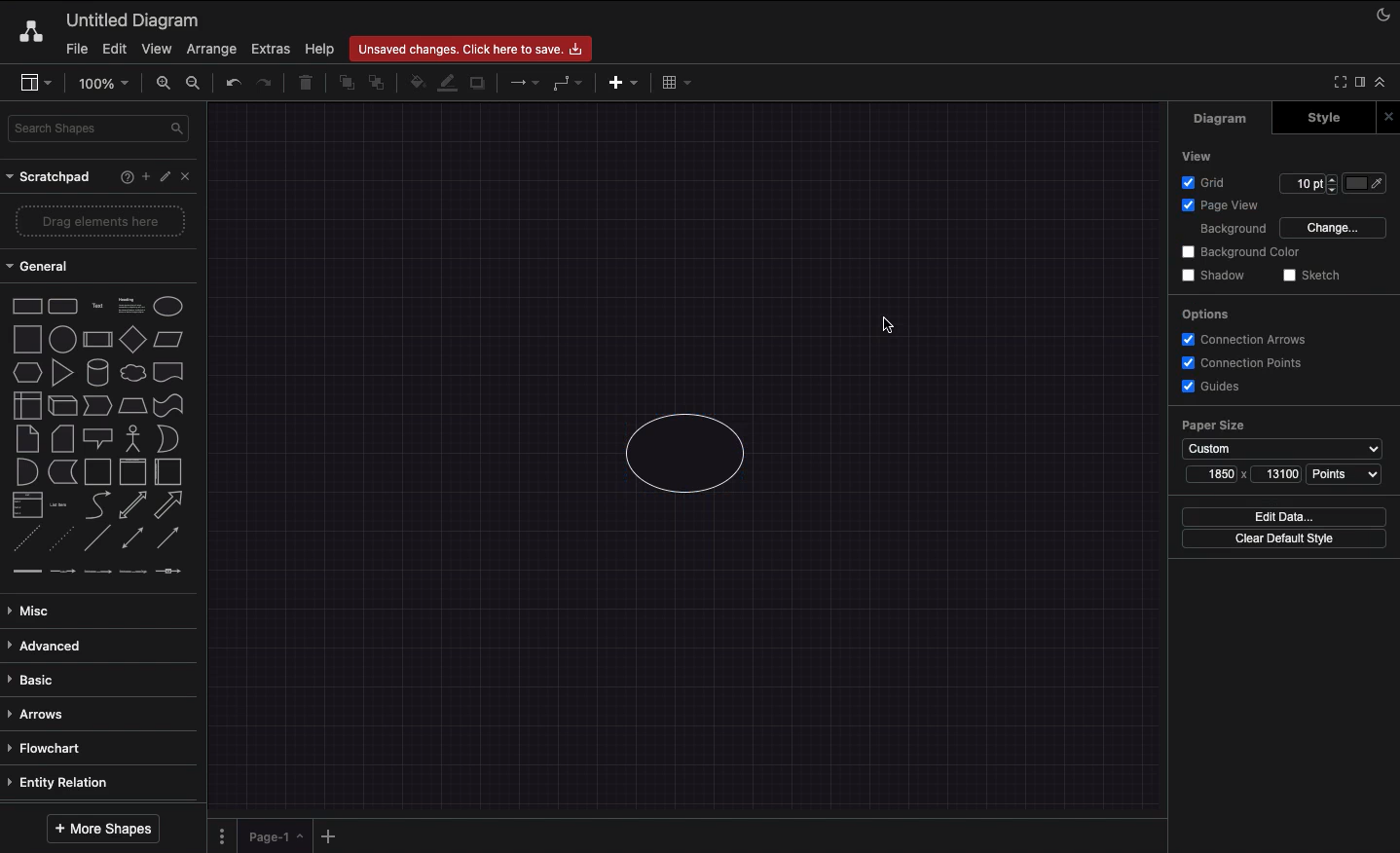 This screenshot has width=1400, height=853. Describe the element at coordinates (112, 49) in the screenshot. I see `Edit` at that location.